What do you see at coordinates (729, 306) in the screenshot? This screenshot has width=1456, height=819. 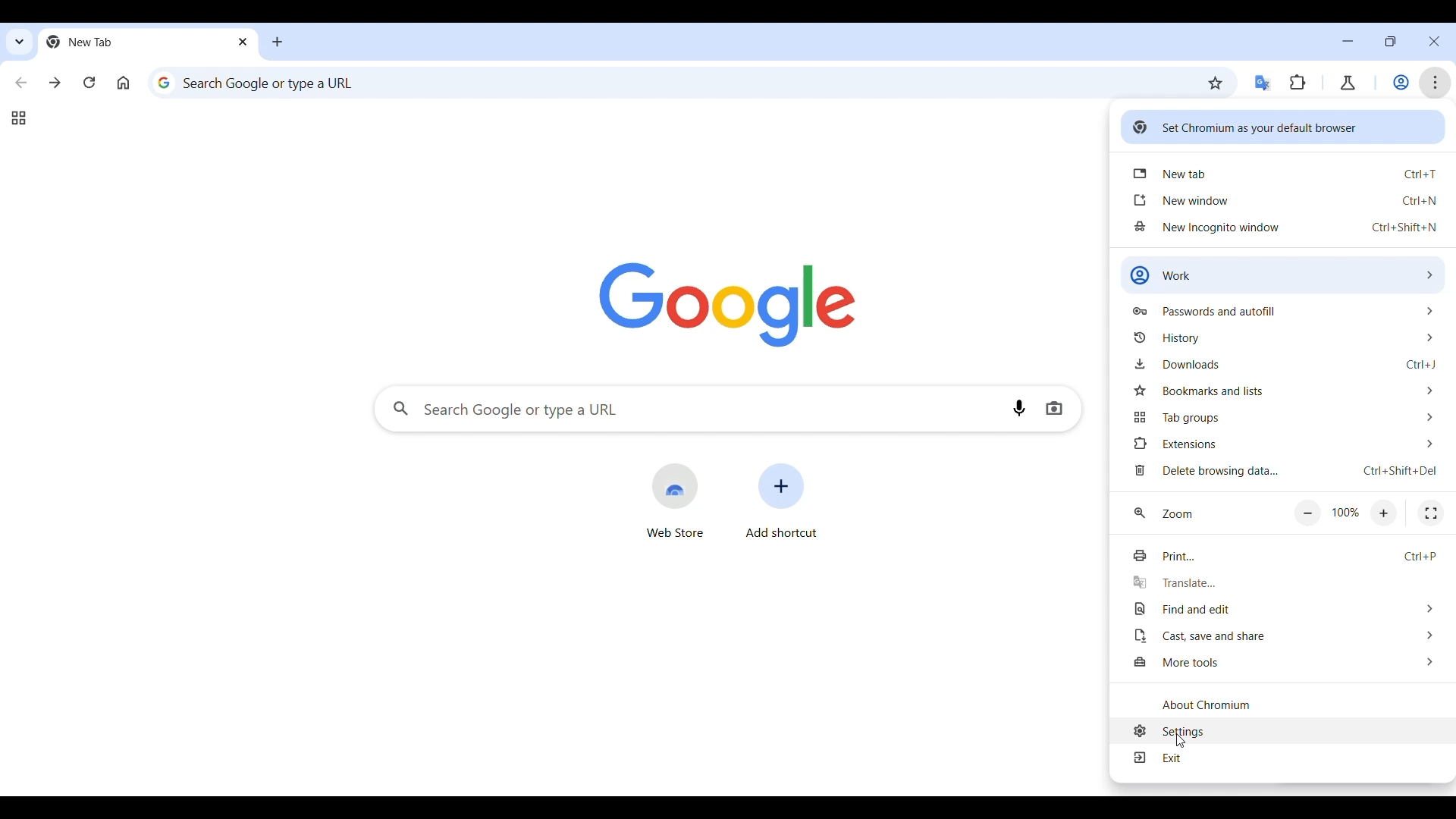 I see `Logo of search engine` at bounding box center [729, 306].